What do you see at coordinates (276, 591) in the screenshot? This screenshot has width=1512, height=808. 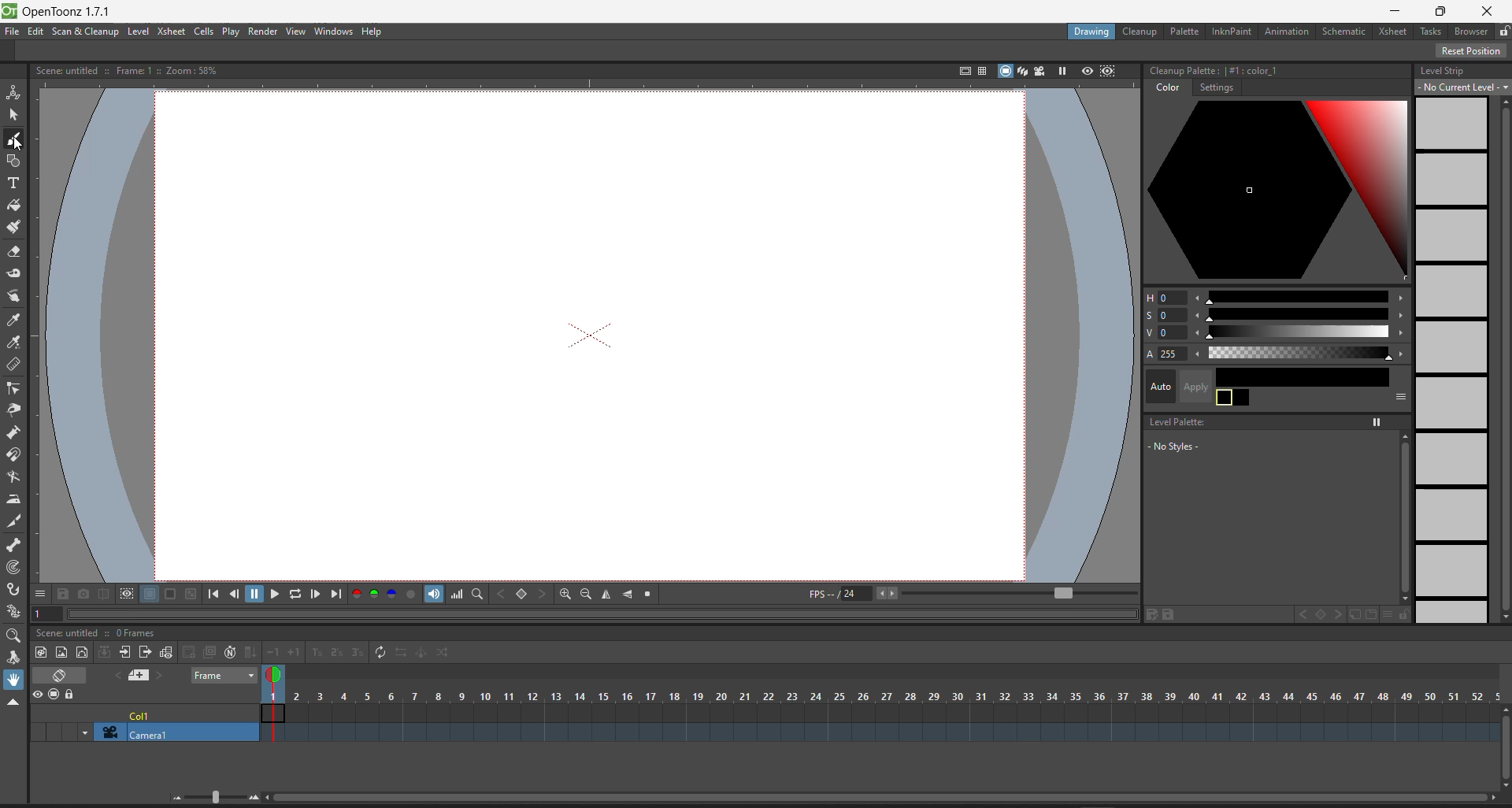 I see `play` at bounding box center [276, 591].